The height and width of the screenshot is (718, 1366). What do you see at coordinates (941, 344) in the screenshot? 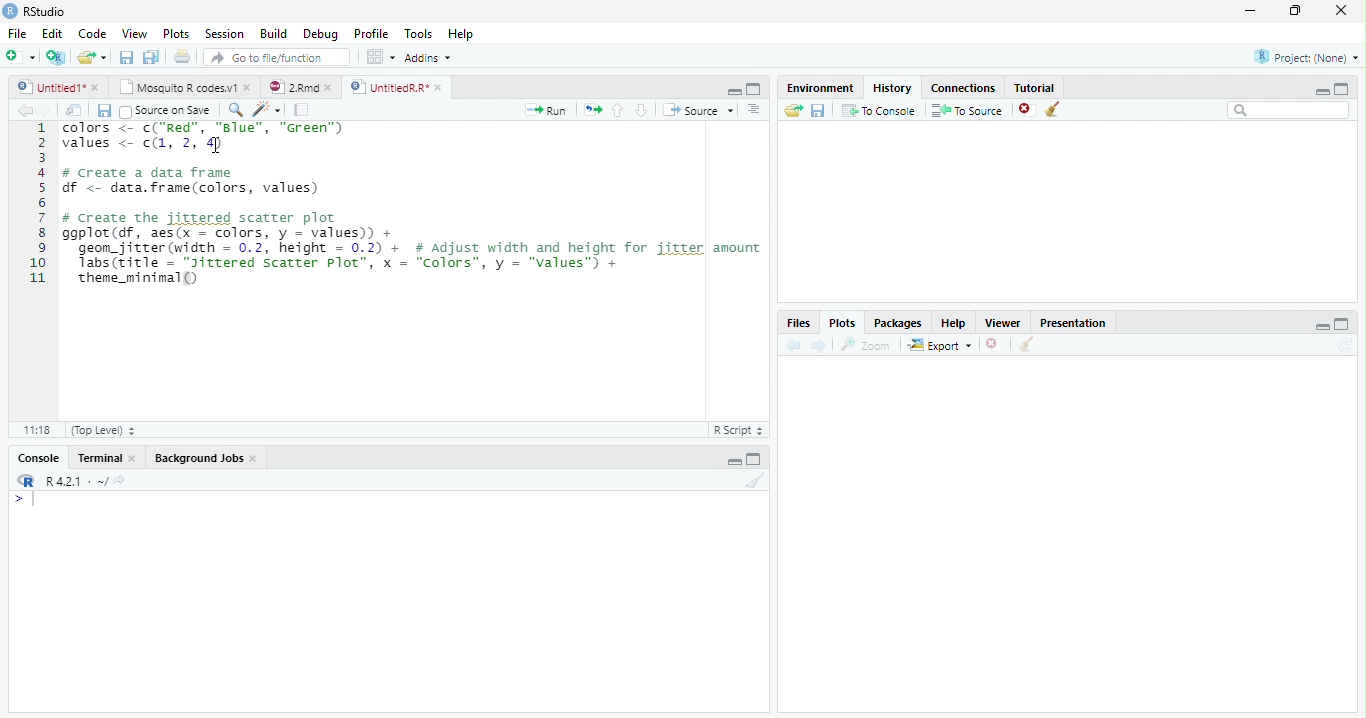
I see `Export` at bounding box center [941, 344].